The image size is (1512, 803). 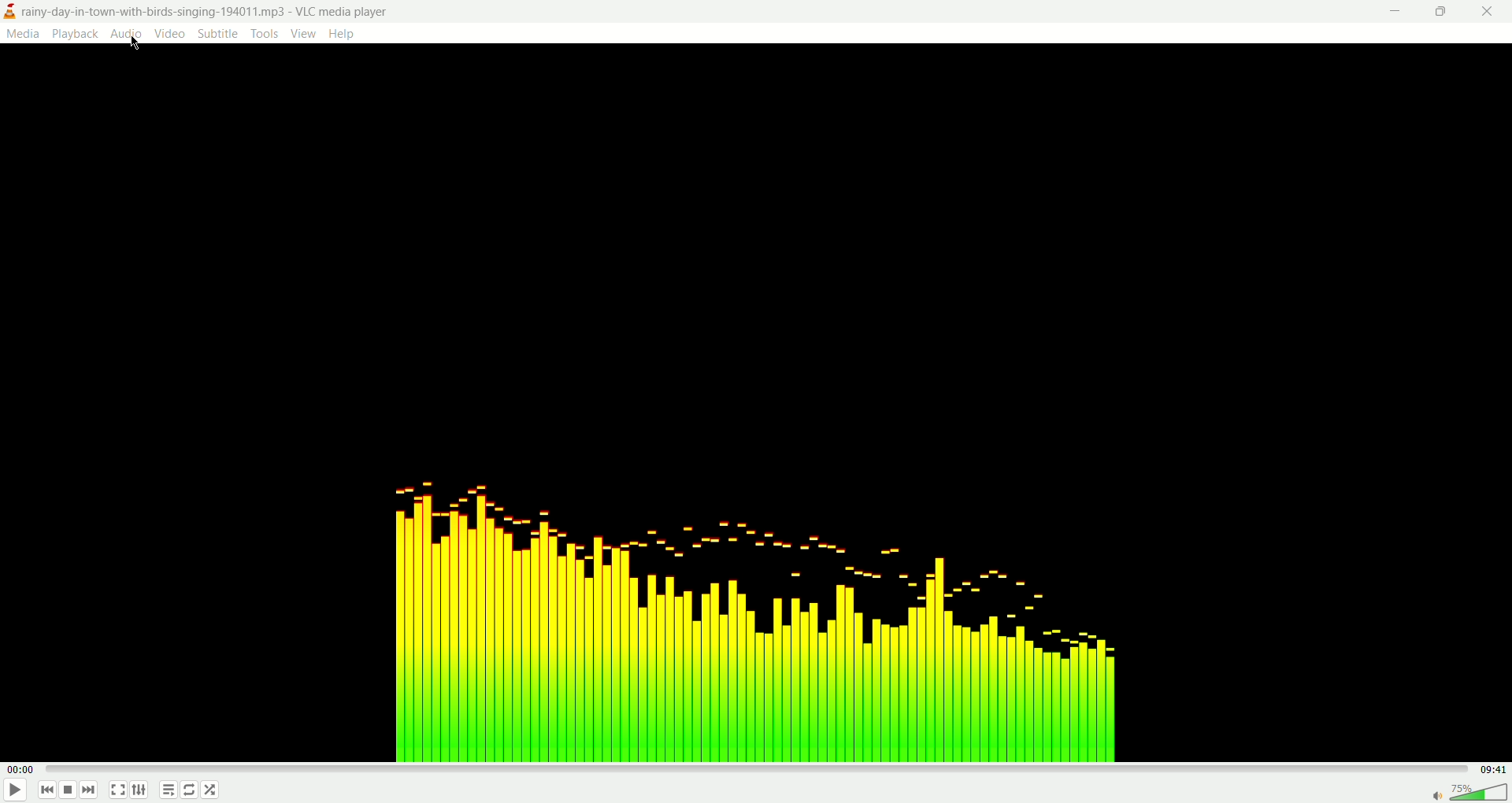 I want to click on video, so click(x=170, y=32).